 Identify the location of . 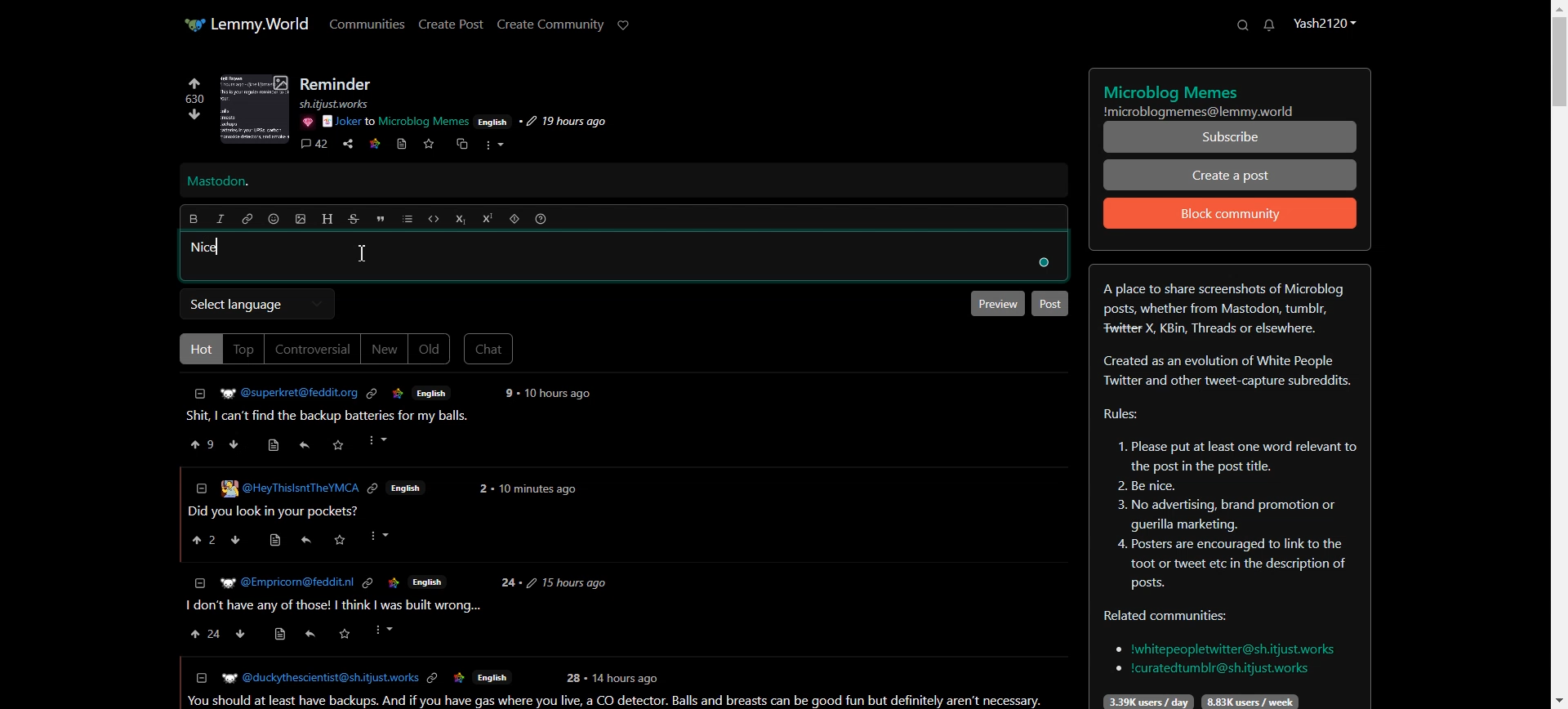
(238, 541).